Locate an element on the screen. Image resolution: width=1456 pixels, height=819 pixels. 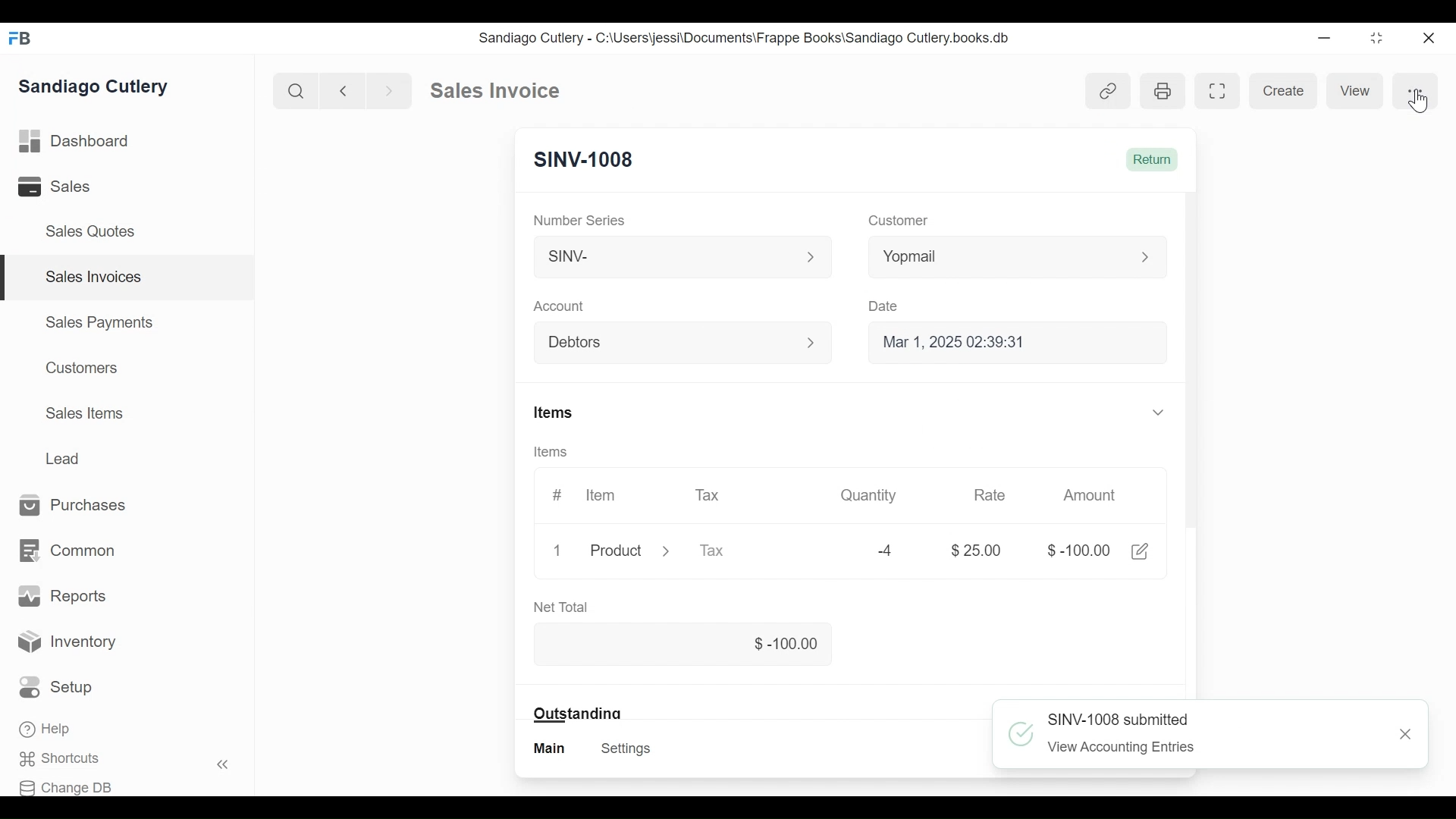
Cursor is located at coordinates (1420, 100).